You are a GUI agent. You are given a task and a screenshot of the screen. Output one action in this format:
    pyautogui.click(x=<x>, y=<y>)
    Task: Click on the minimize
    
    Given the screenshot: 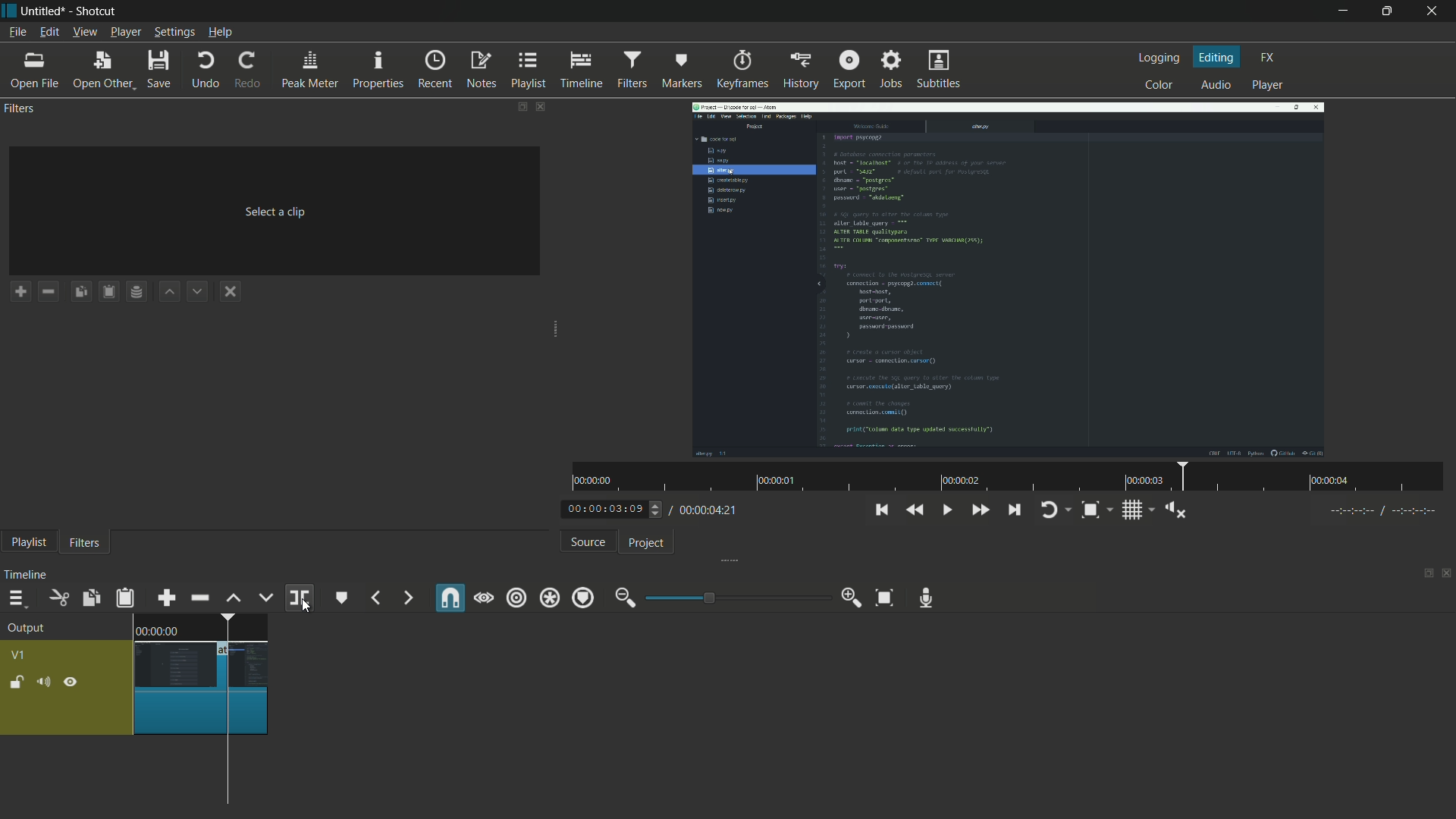 What is the action you would take?
    pyautogui.click(x=1341, y=11)
    